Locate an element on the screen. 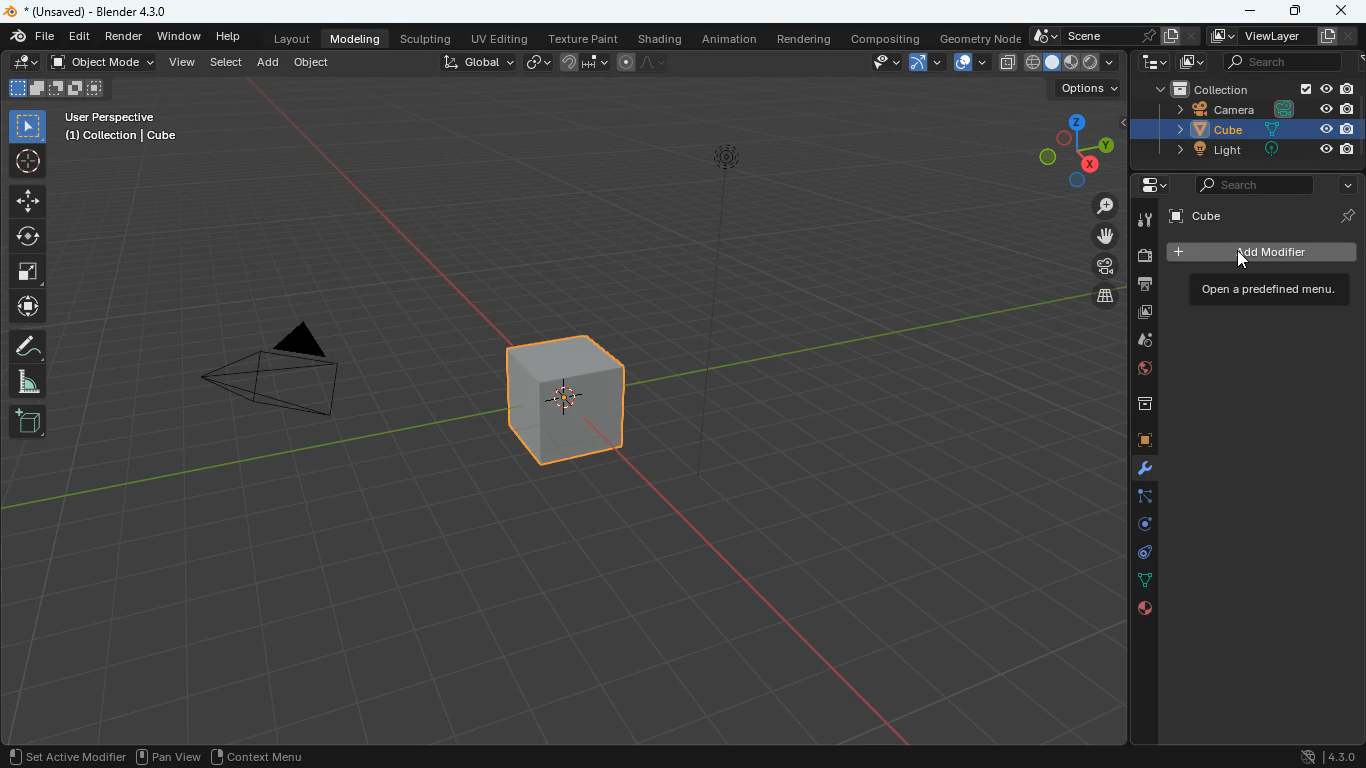 The width and height of the screenshot is (1366, 768). search is located at coordinates (1254, 186).